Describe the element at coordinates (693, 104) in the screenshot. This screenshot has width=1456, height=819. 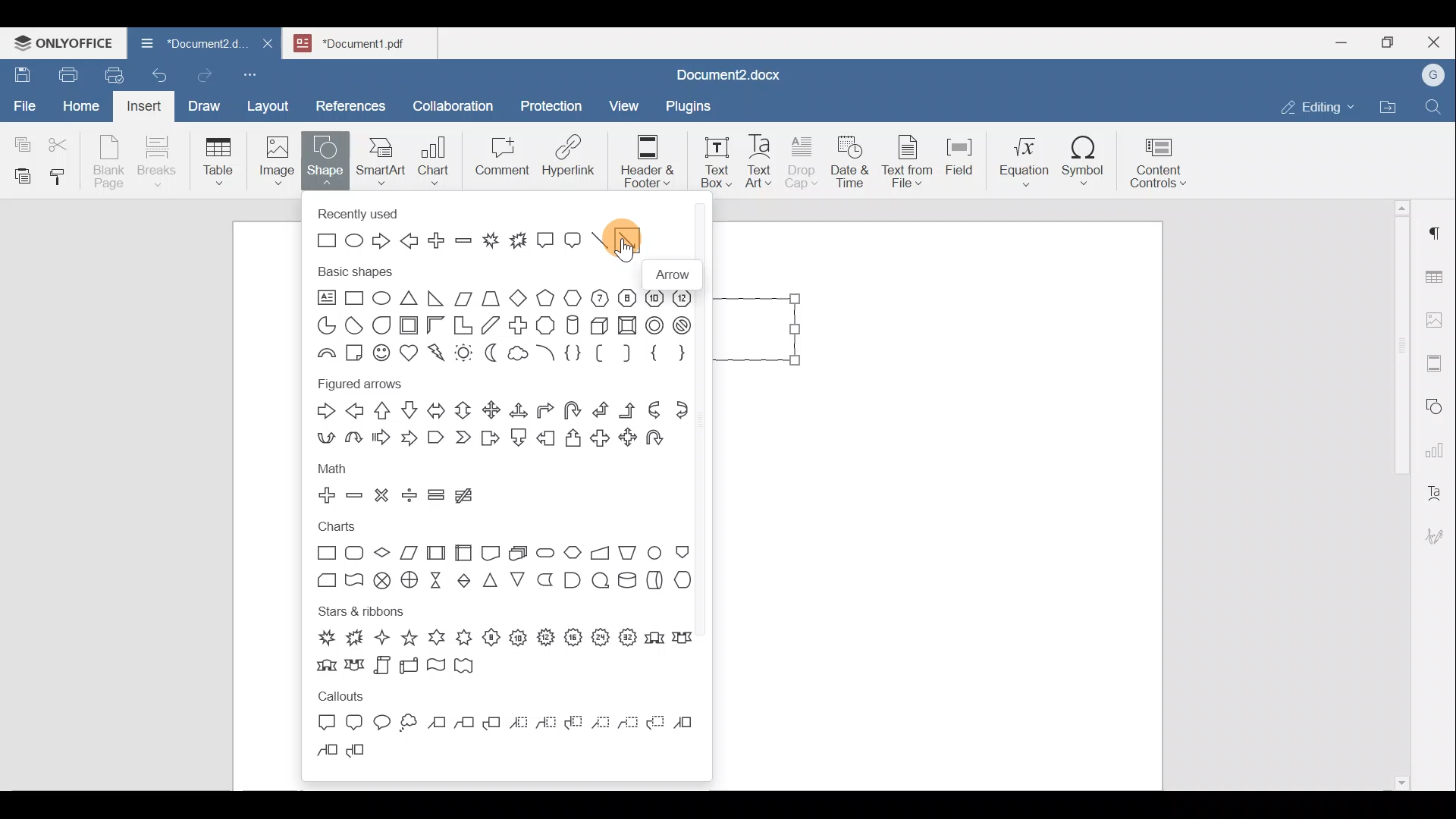
I see `Plugins` at that location.